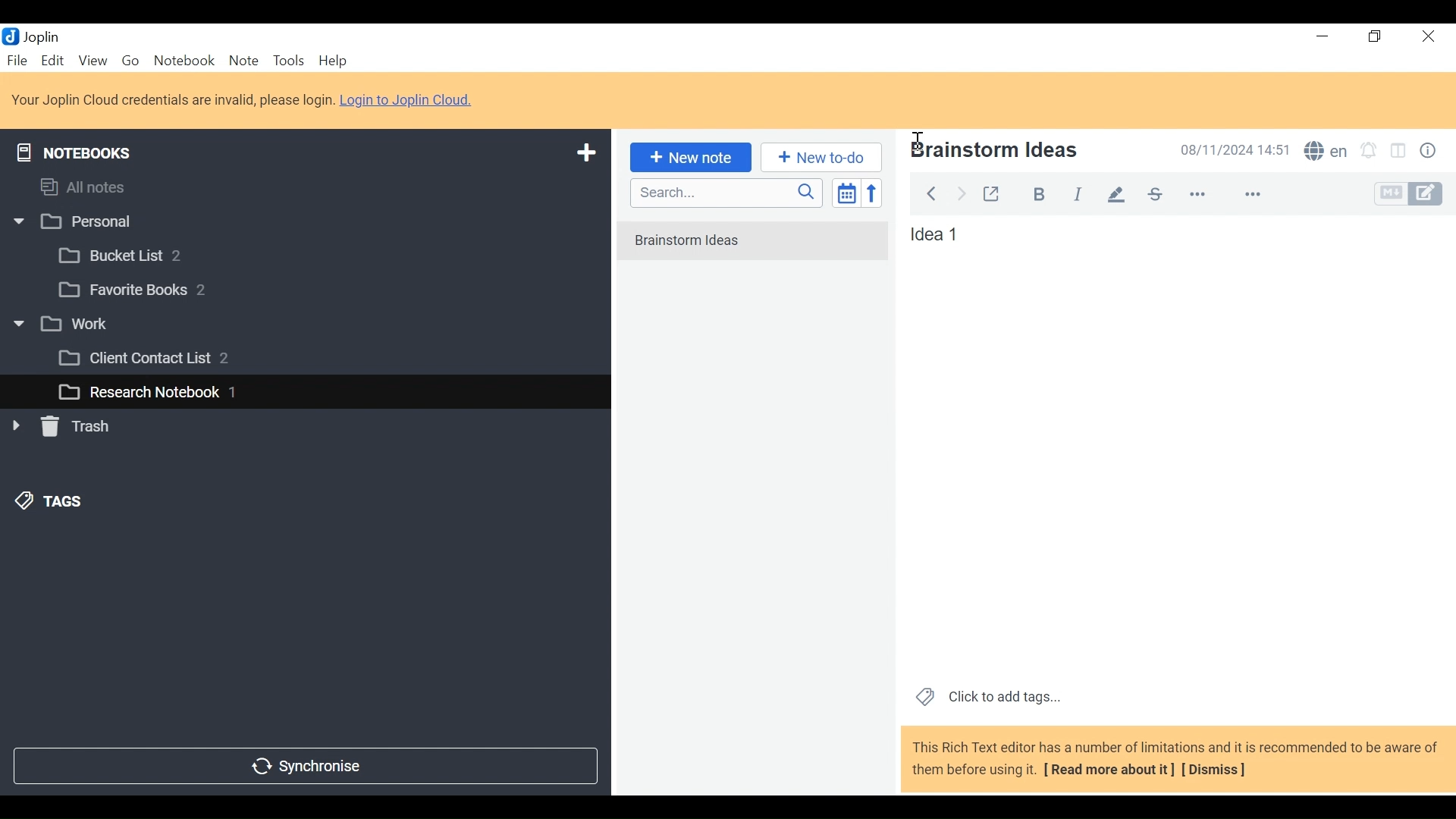  What do you see at coordinates (93, 60) in the screenshot?
I see `View` at bounding box center [93, 60].